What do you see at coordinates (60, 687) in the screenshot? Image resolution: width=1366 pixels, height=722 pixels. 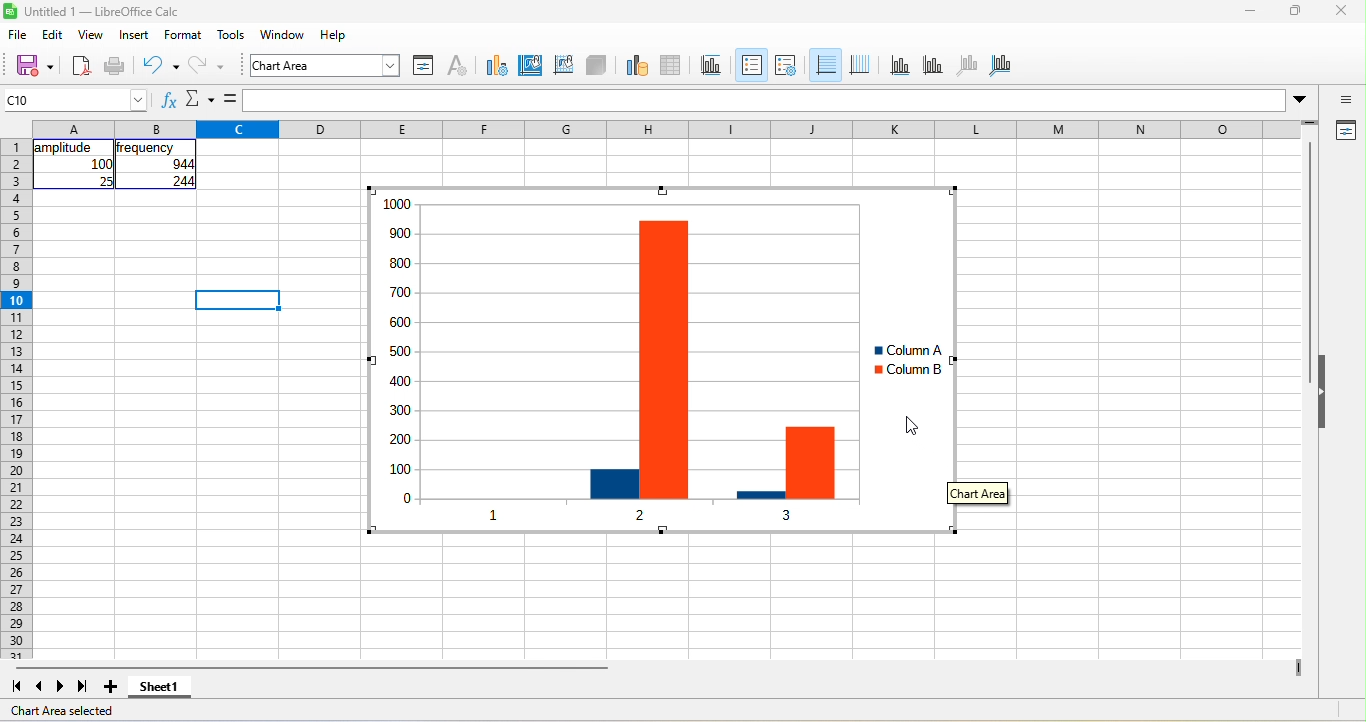 I see `next sheet` at bounding box center [60, 687].